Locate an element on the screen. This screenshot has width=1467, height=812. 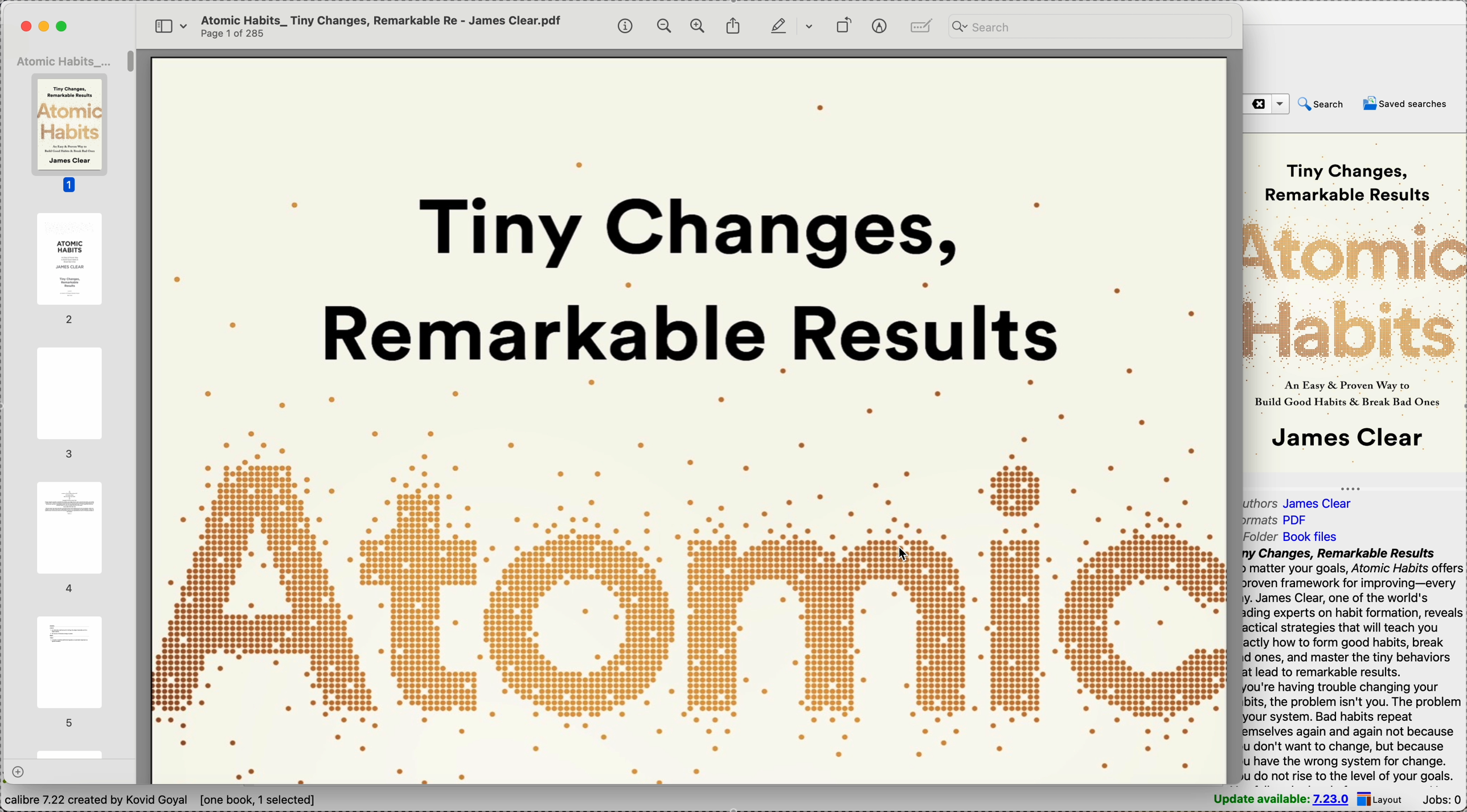
third page is located at coordinates (70, 404).